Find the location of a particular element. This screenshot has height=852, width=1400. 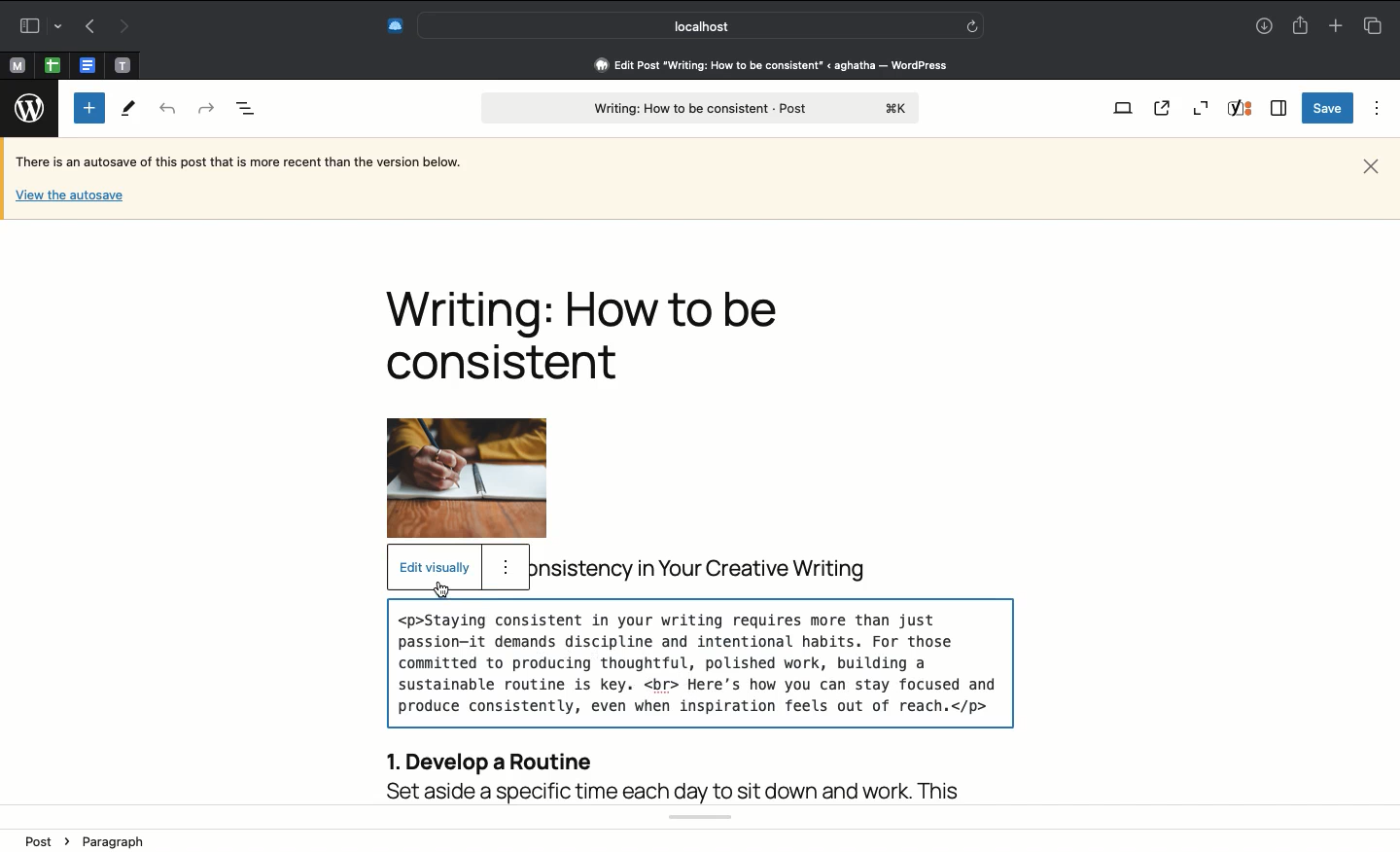

Yoast is located at coordinates (1242, 110).